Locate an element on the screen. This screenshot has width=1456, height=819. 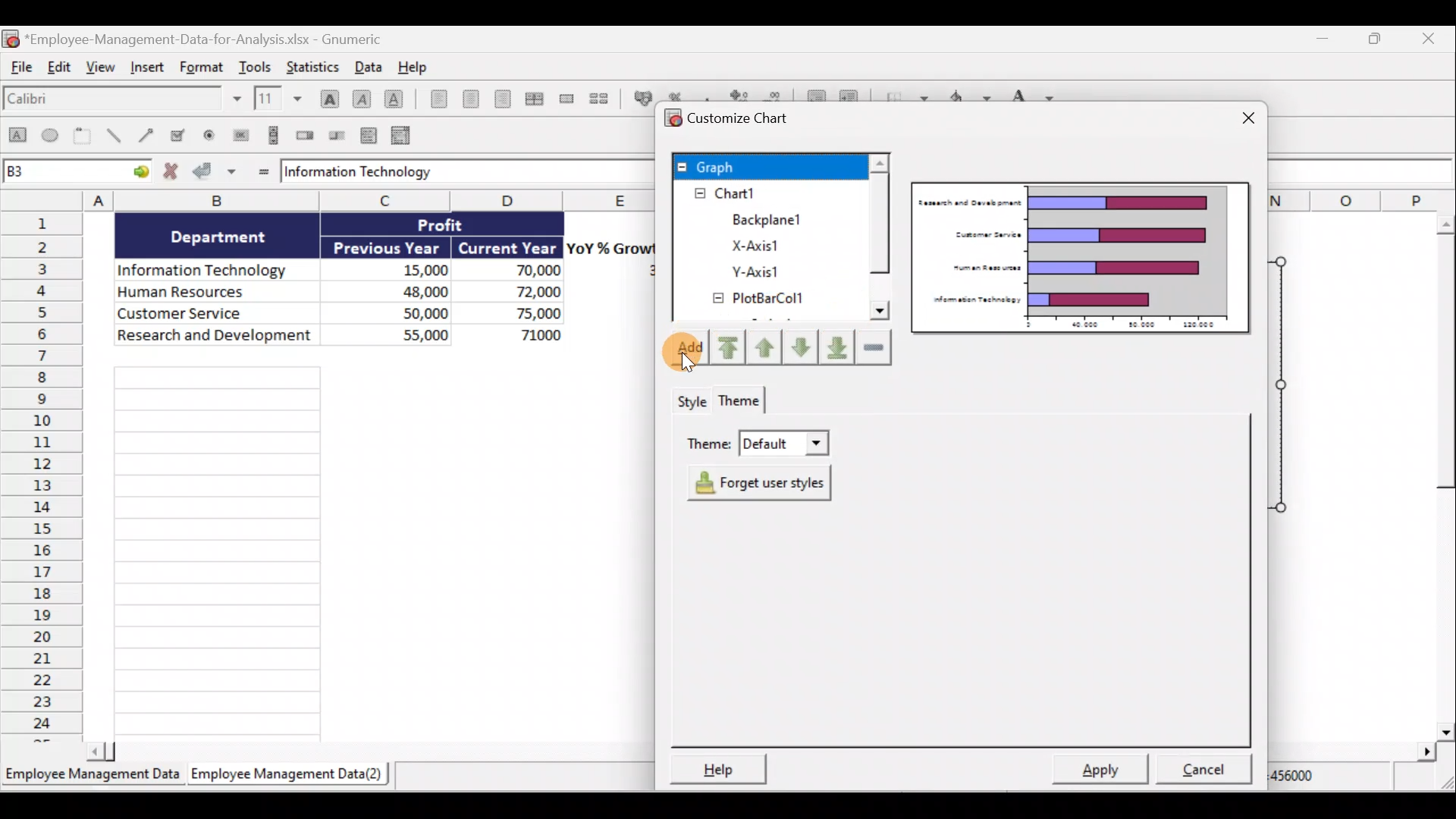
PlotBarCol1 is located at coordinates (756, 300).